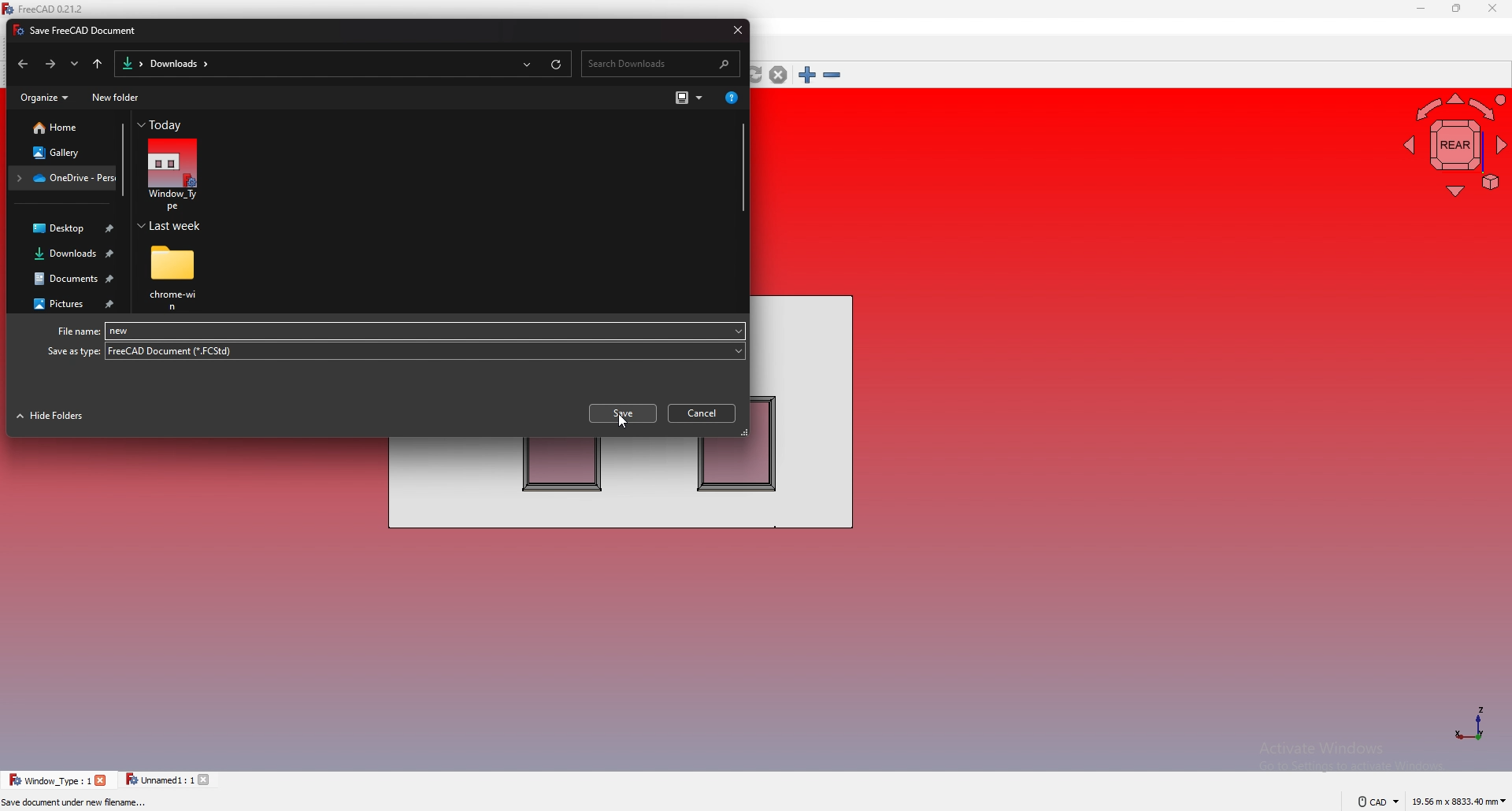 Image resolution: width=1512 pixels, height=811 pixels. Describe the element at coordinates (159, 780) in the screenshot. I see `Unnamed1: 1` at that location.